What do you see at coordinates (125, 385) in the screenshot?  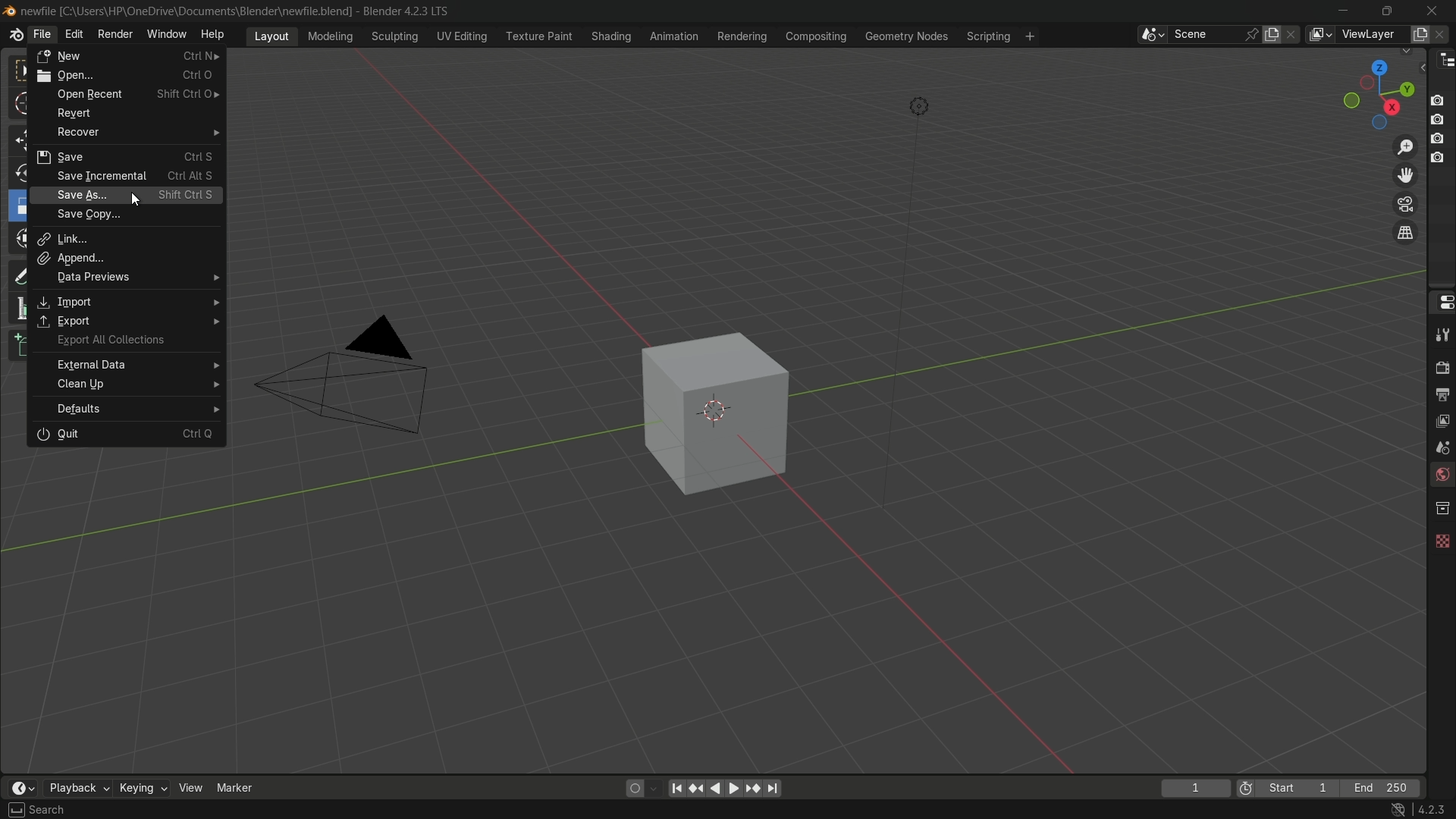 I see `clean up` at bounding box center [125, 385].